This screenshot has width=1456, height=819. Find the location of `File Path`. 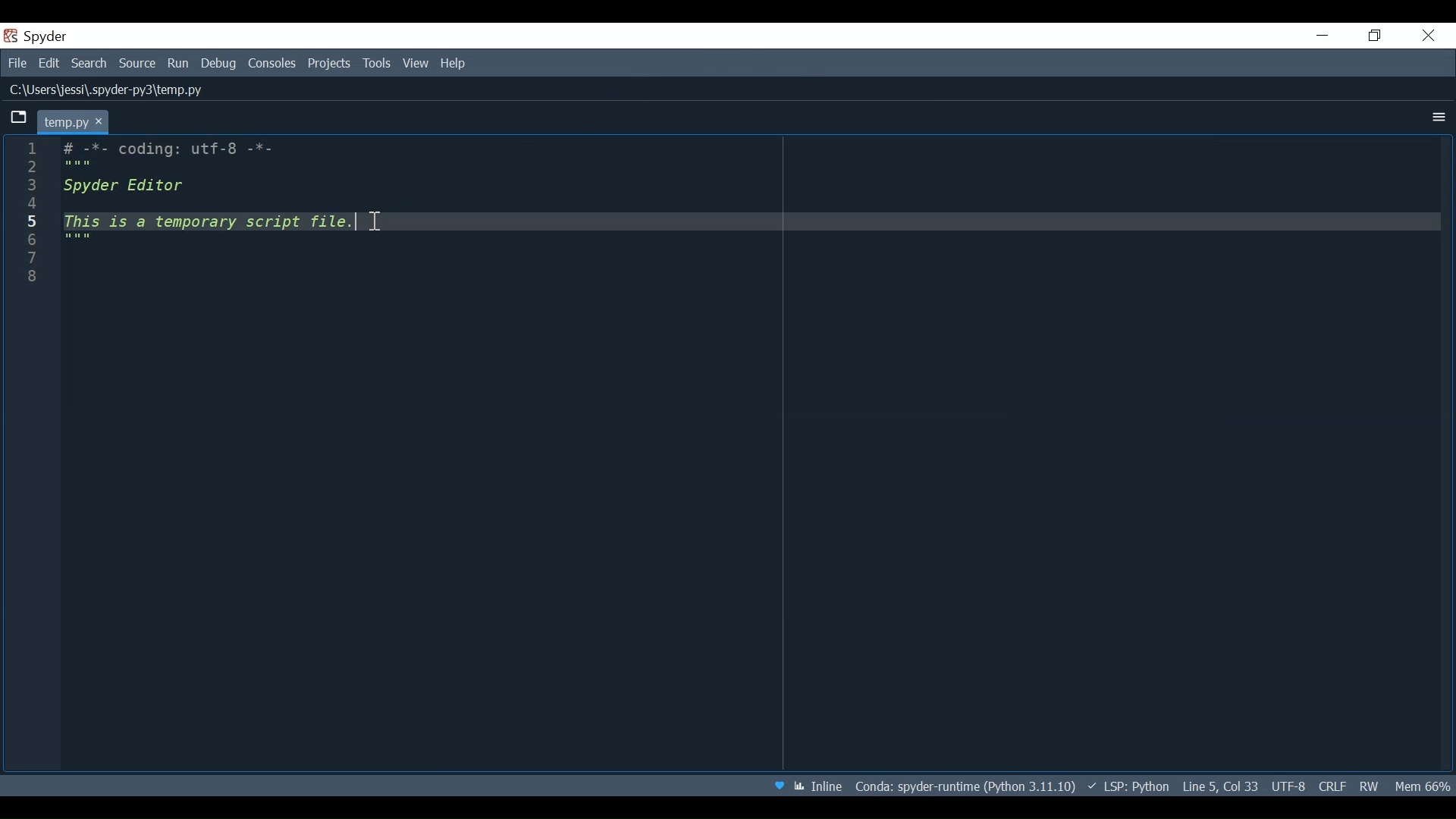

File Path is located at coordinates (965, 786).